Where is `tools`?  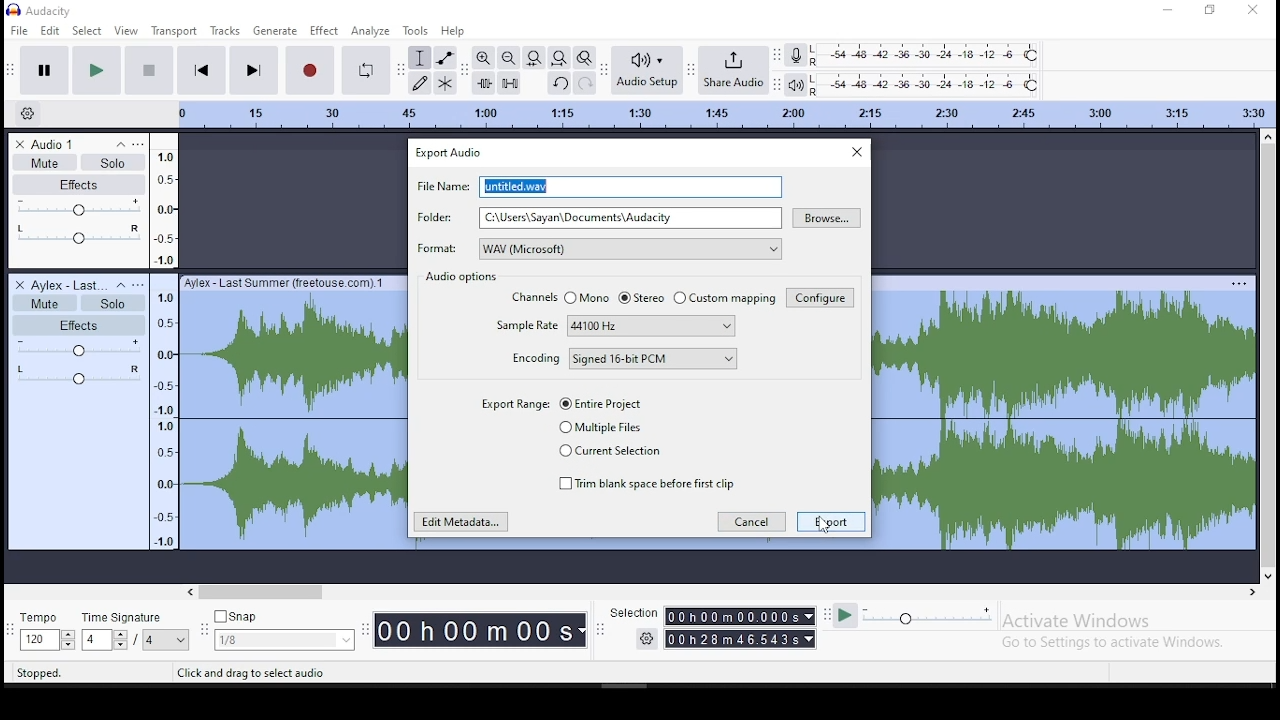
tools is located at coordinates (418, 30).